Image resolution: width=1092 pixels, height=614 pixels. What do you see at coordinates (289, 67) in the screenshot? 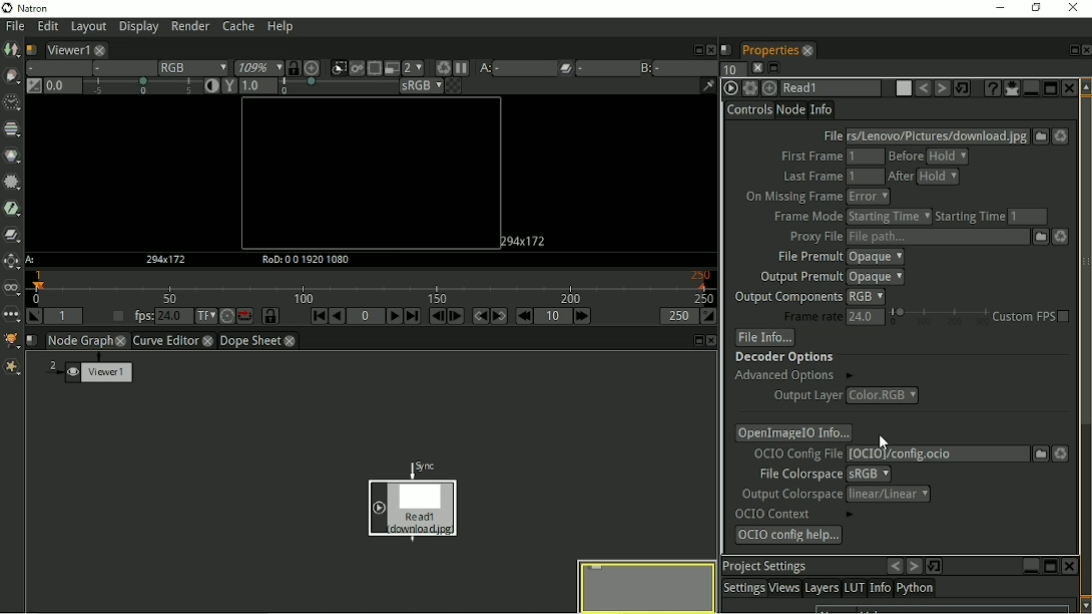
I see `Synchronize` at bounding box center [289, 67].